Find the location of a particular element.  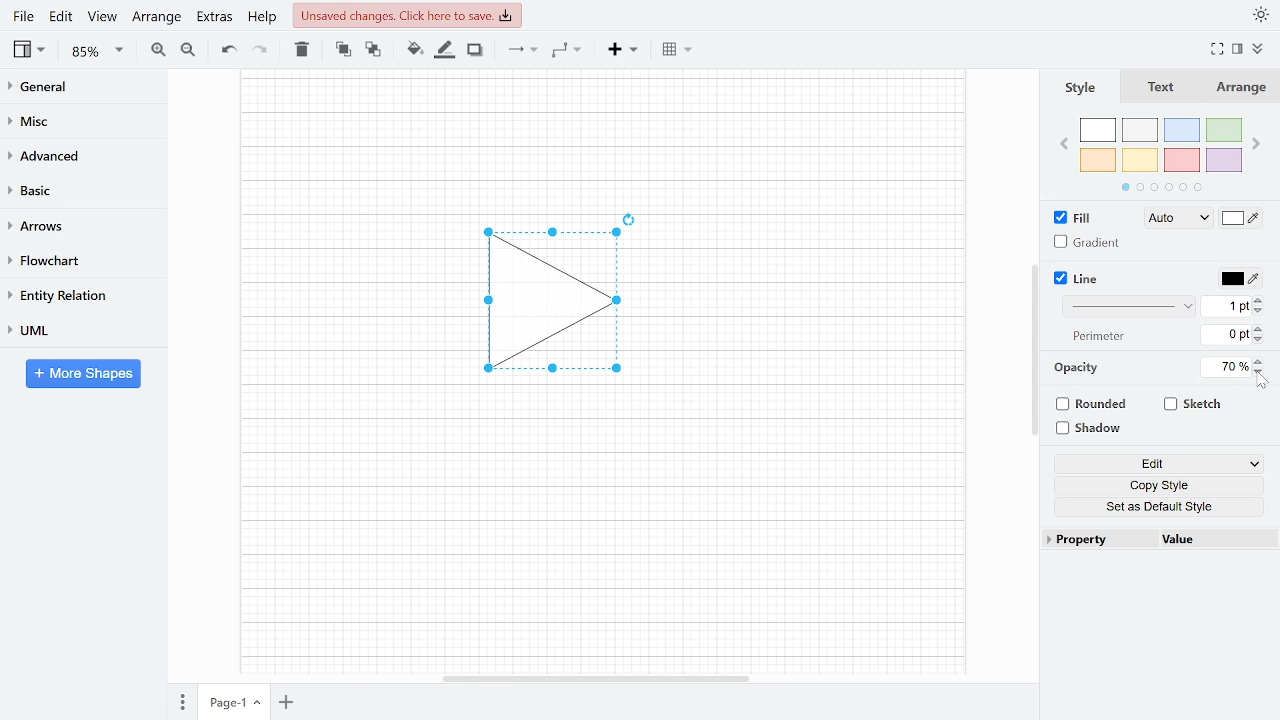

Page options is located at coordinates (260, 705).